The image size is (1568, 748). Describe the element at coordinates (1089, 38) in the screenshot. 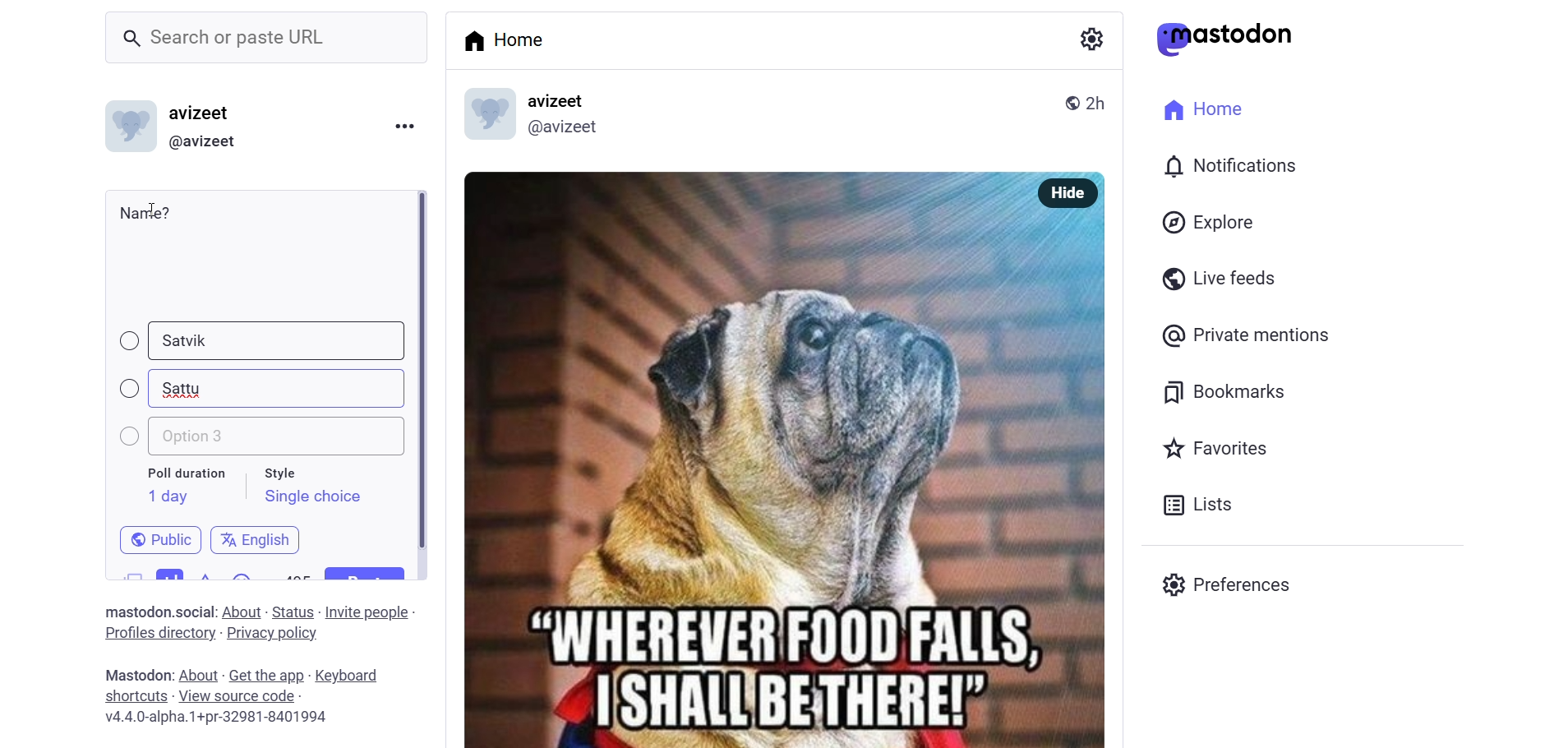

I see `setting` at that location.